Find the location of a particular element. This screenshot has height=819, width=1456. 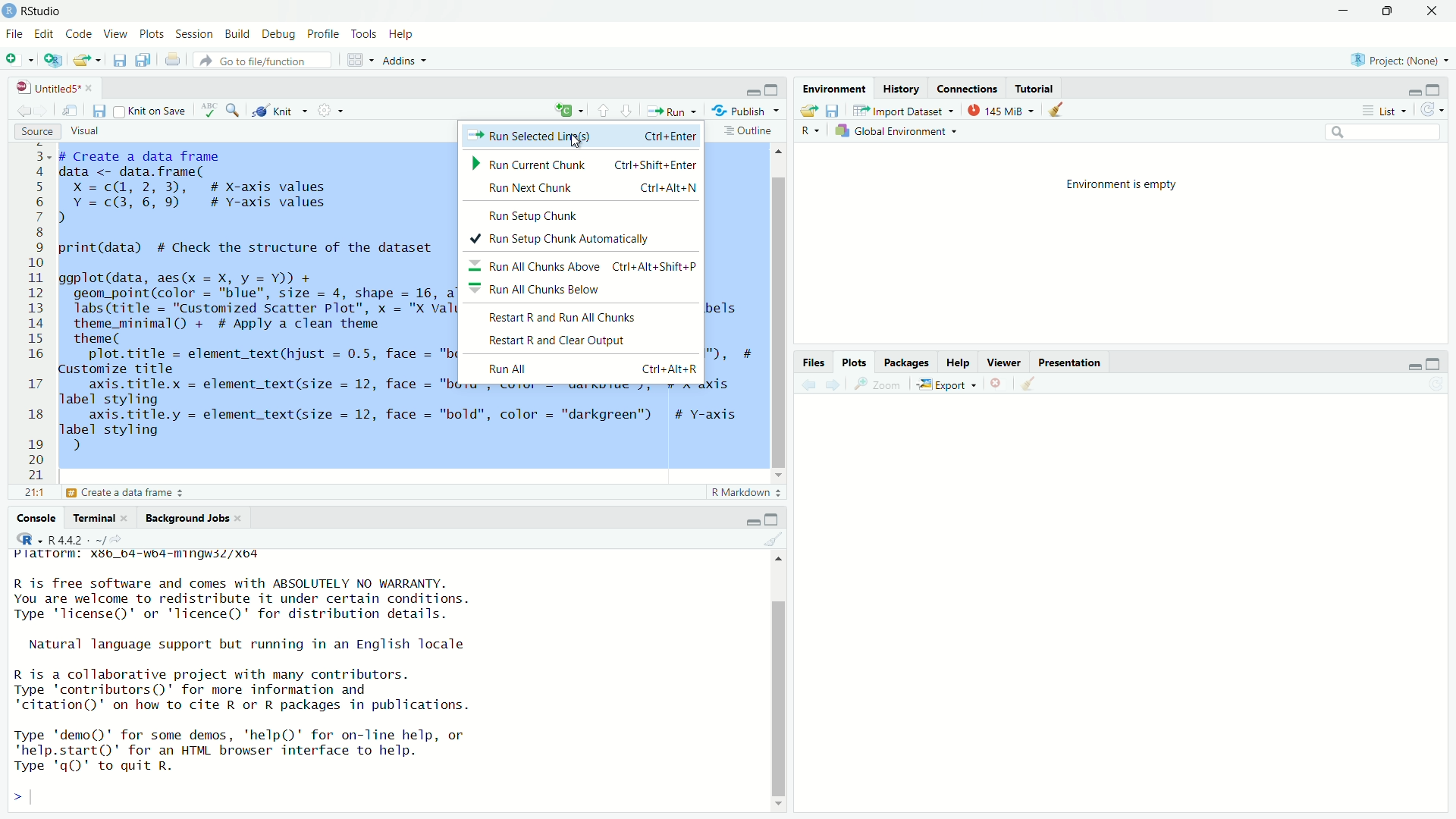

Copy File is located at coordinates (570, 112).